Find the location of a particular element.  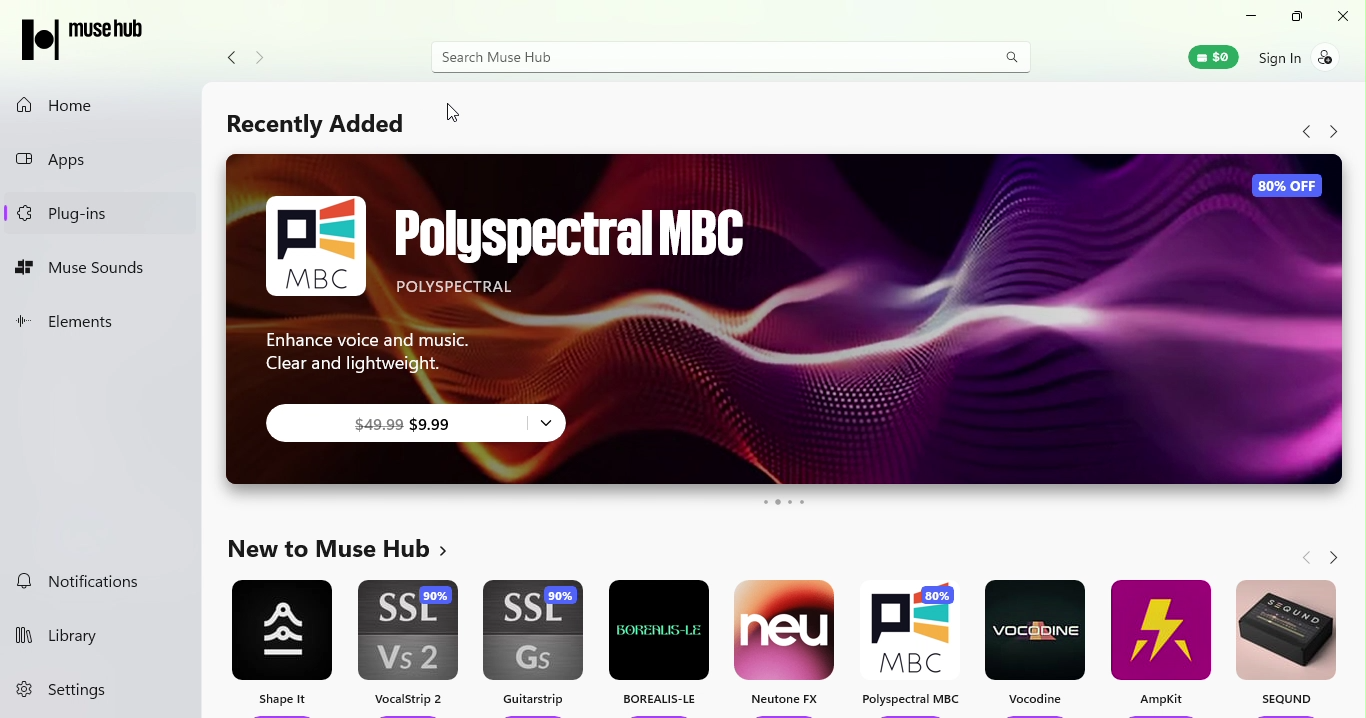

Muse wallet is located at coordinates (1214, 57).